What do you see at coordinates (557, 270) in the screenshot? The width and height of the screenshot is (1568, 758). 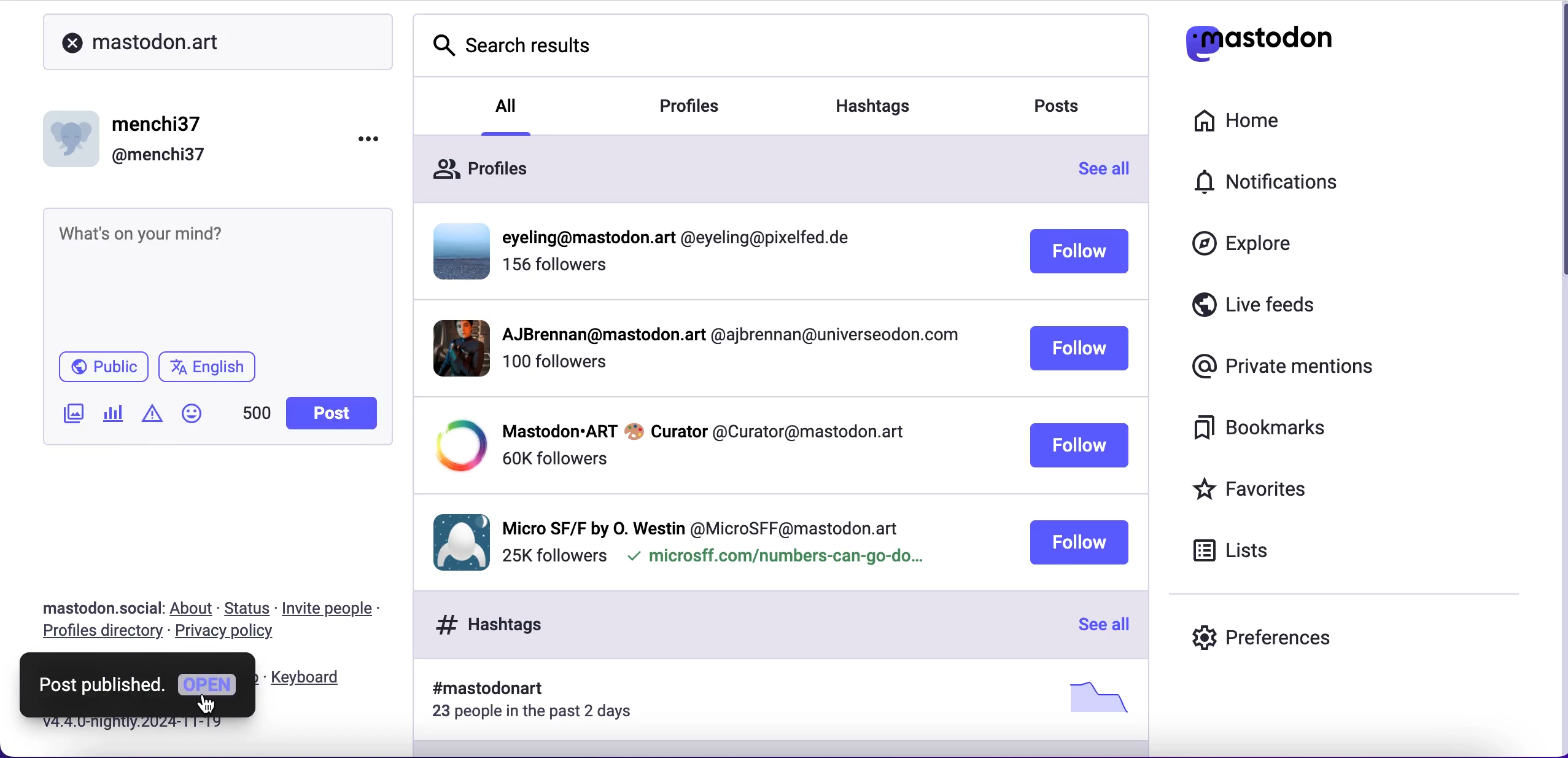 I see `followers` at bounding box center [557, 270].